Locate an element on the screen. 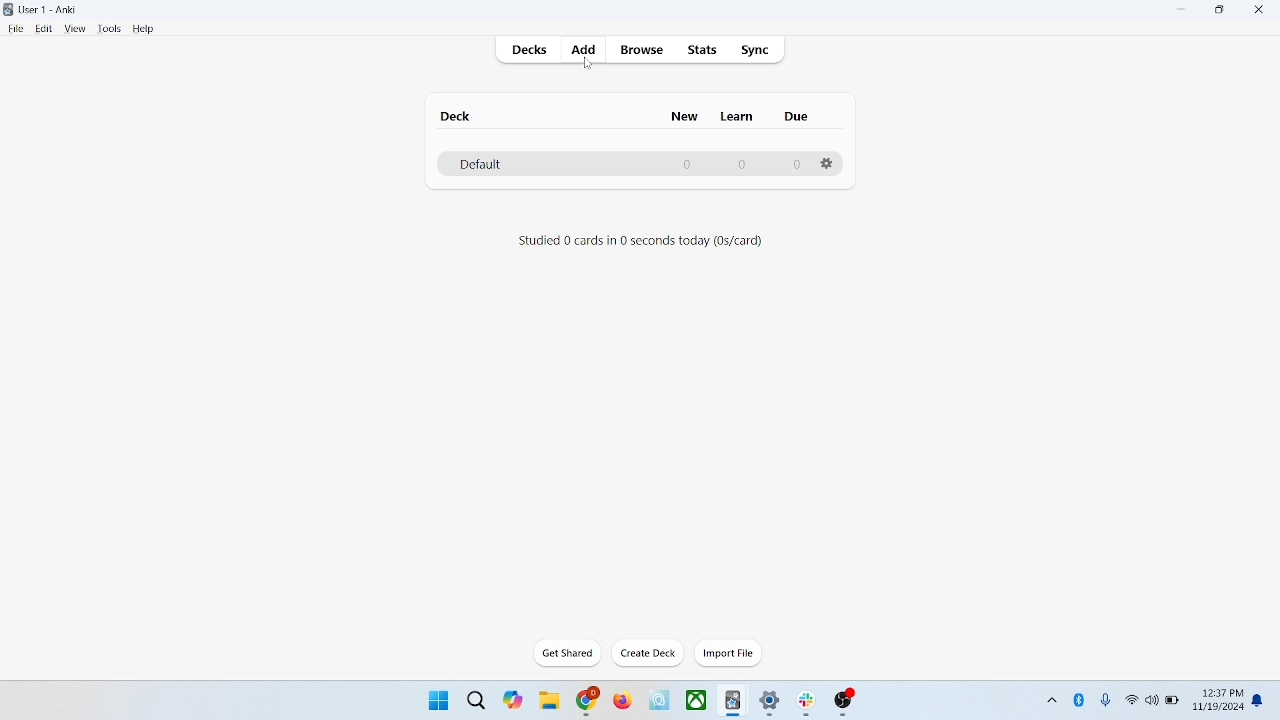 The width and height of the screenshot is (1280, 720). help is located at coordinates (144, 30).